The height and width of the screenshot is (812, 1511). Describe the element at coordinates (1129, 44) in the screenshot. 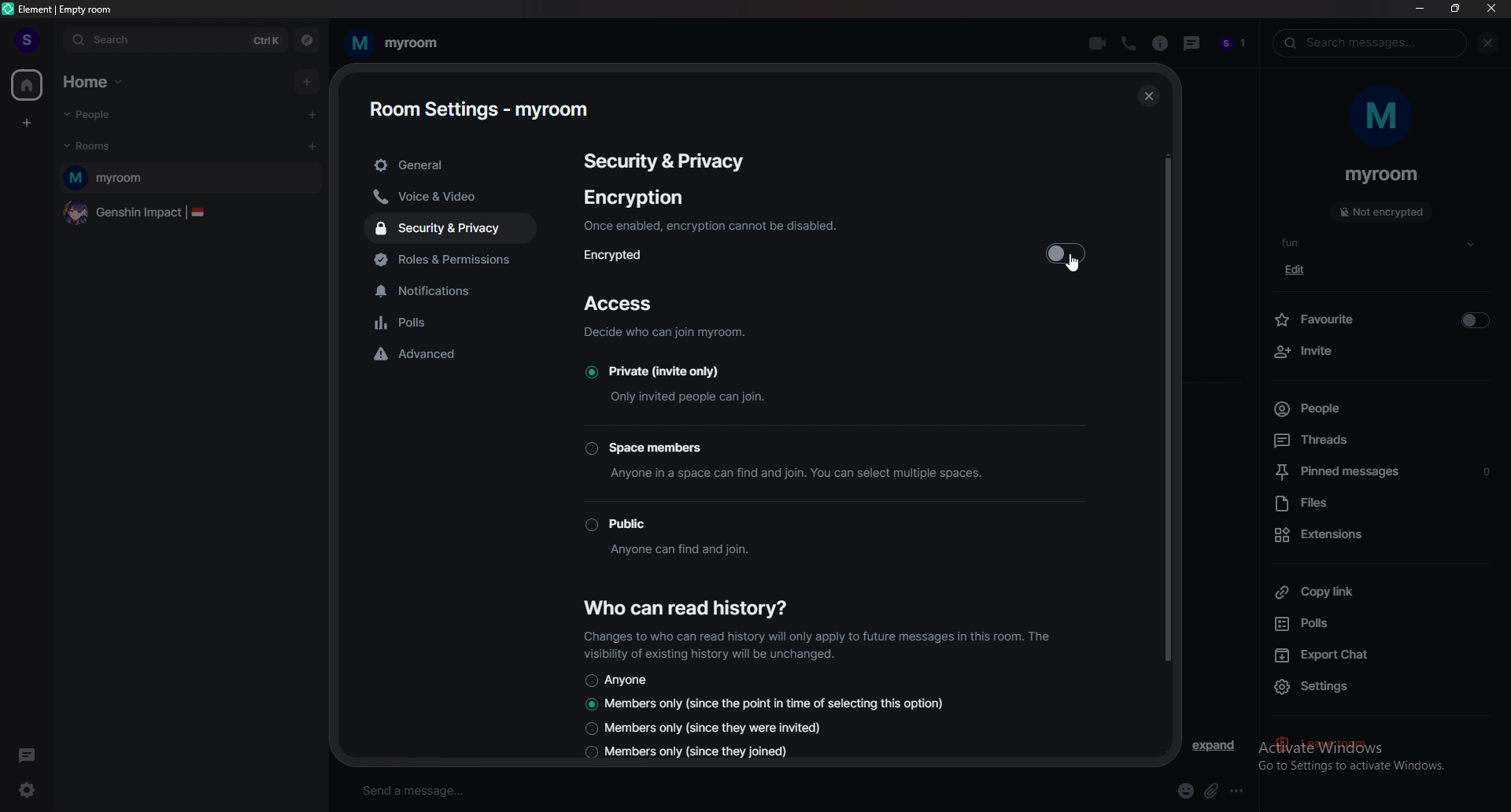

I see `voice call` at that location.